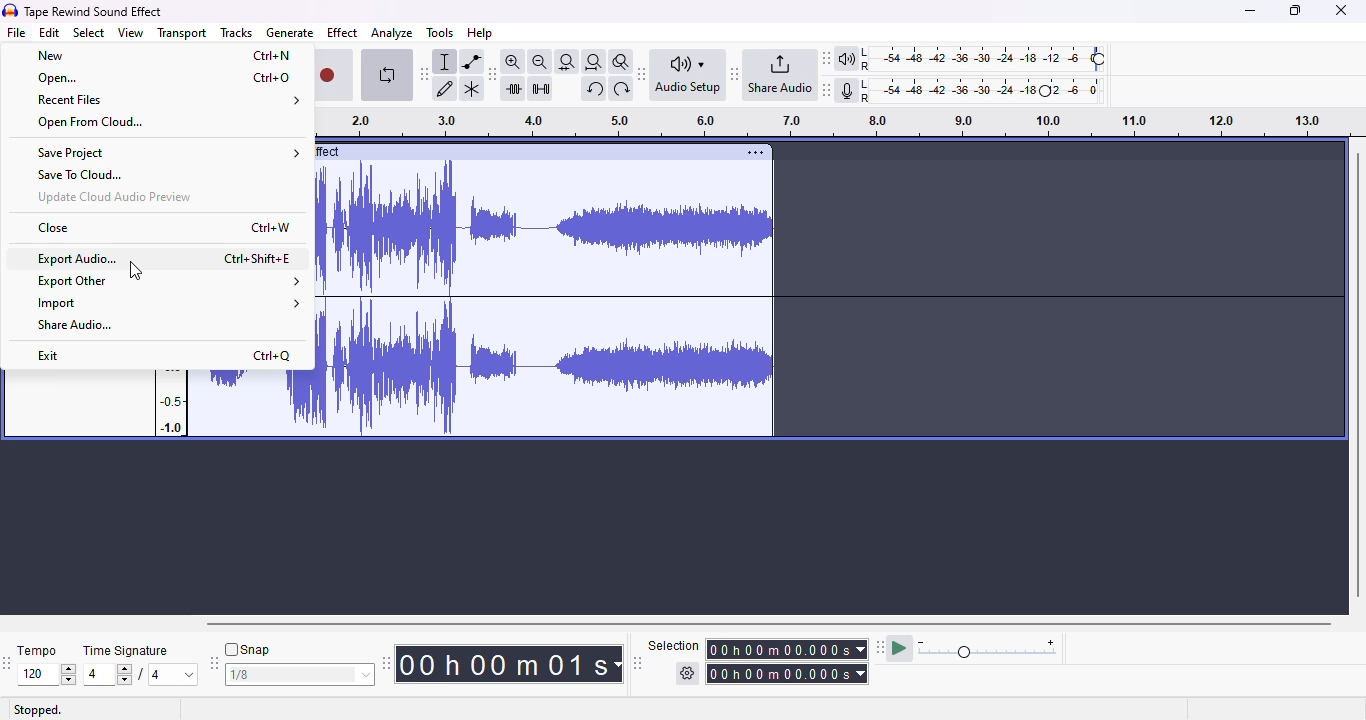  What do you see at coordinates (1343, 10) in the screenshot?
I see `close` at bounding box center [1343, 10].